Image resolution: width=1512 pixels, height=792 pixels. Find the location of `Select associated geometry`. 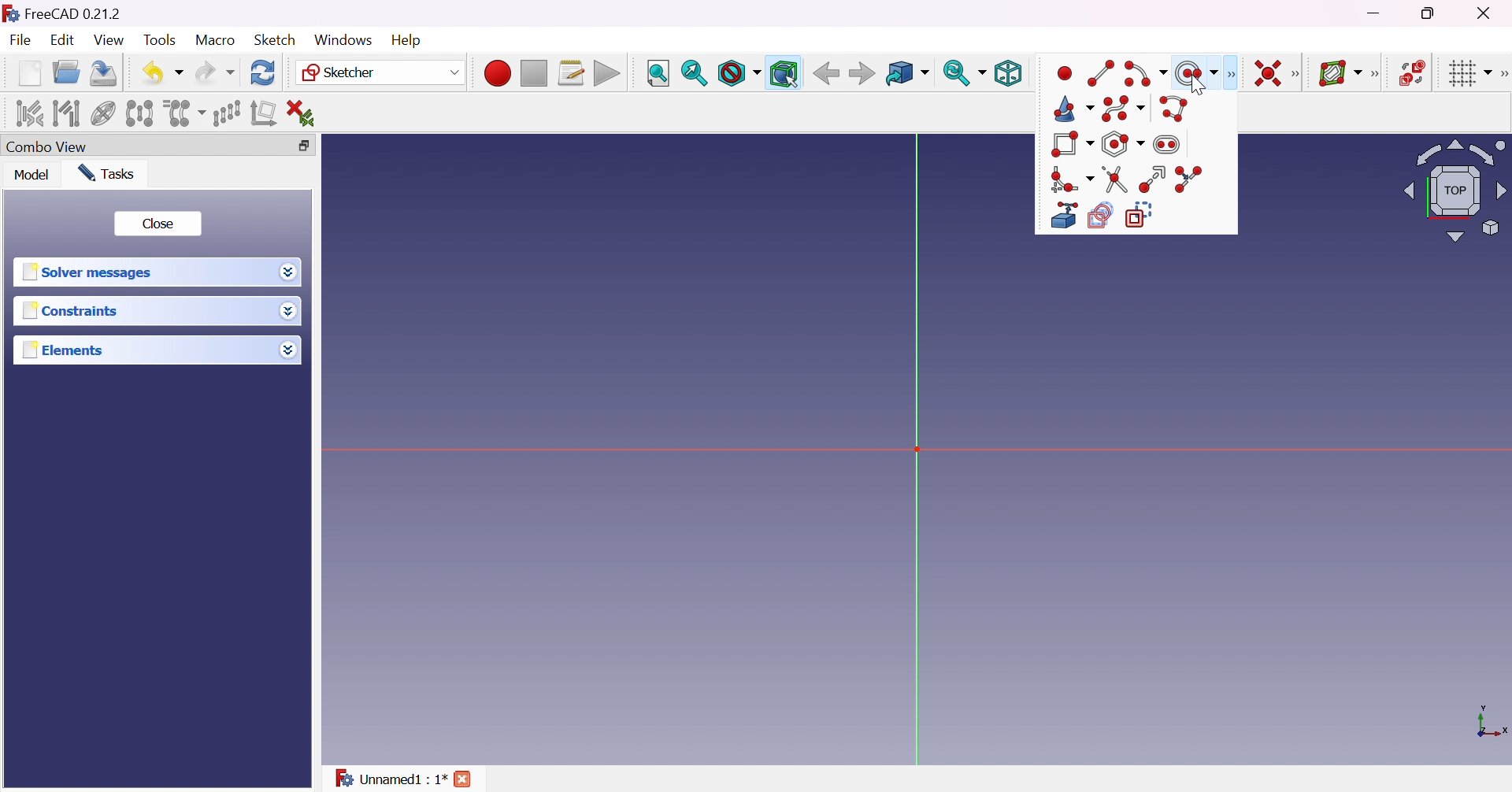

Select associated geometry is located at coordinates (67, 112).